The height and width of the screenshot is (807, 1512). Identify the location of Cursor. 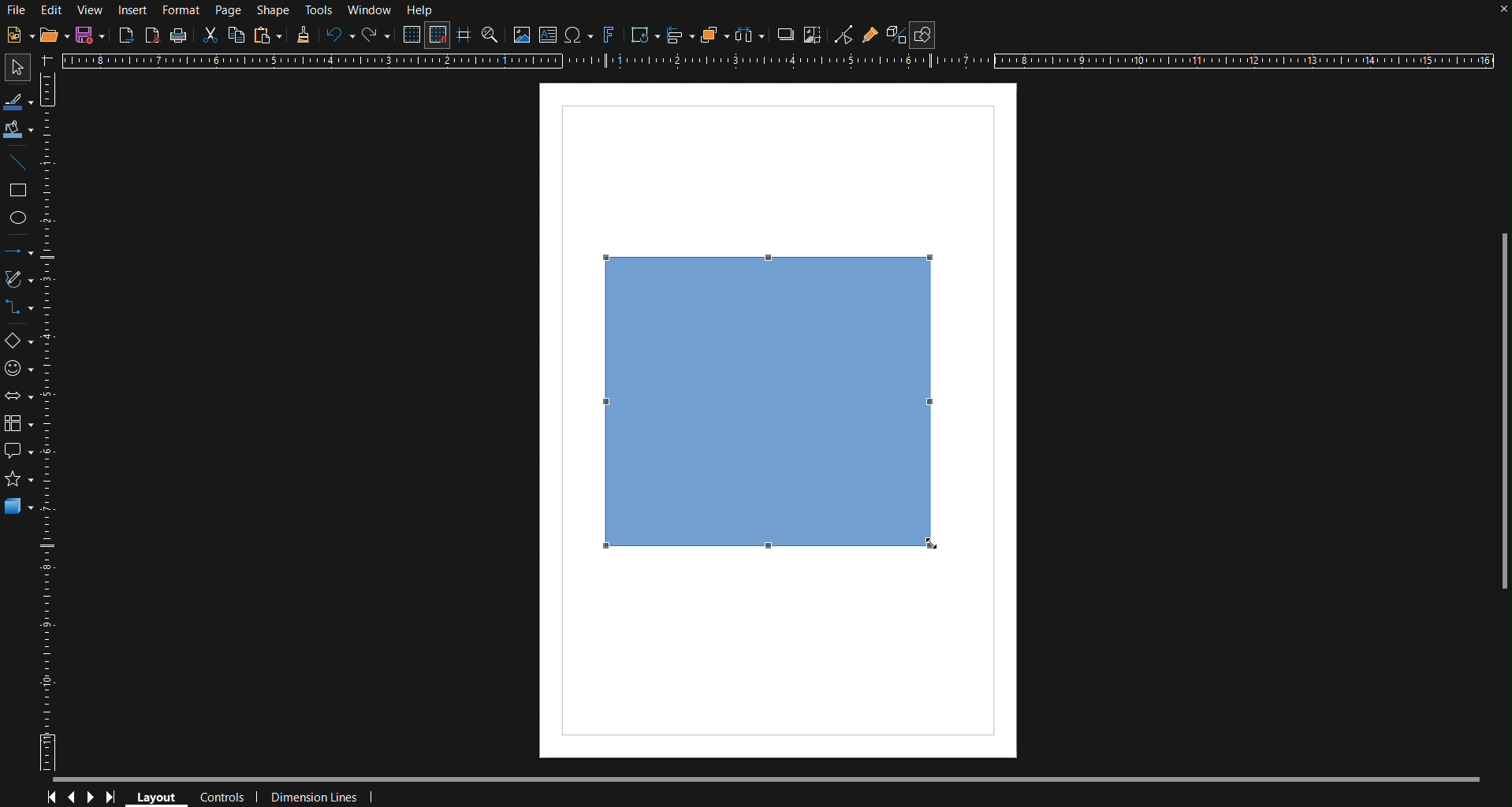
(920, 531).